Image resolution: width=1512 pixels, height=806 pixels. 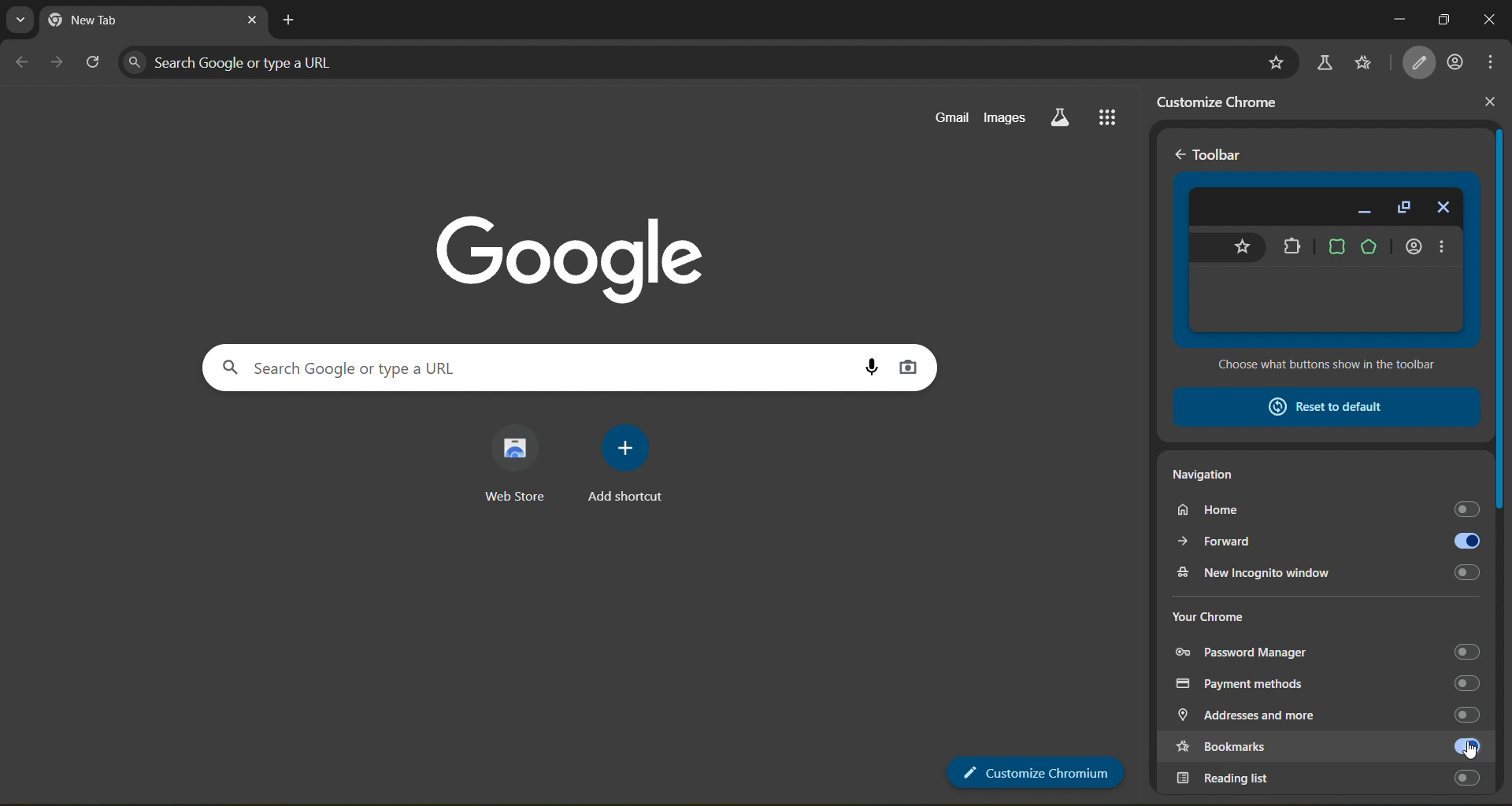 What do you see at coordinates (20, 61) in the screenshot?
I see `go back one page` at bounding box center [20, 61].